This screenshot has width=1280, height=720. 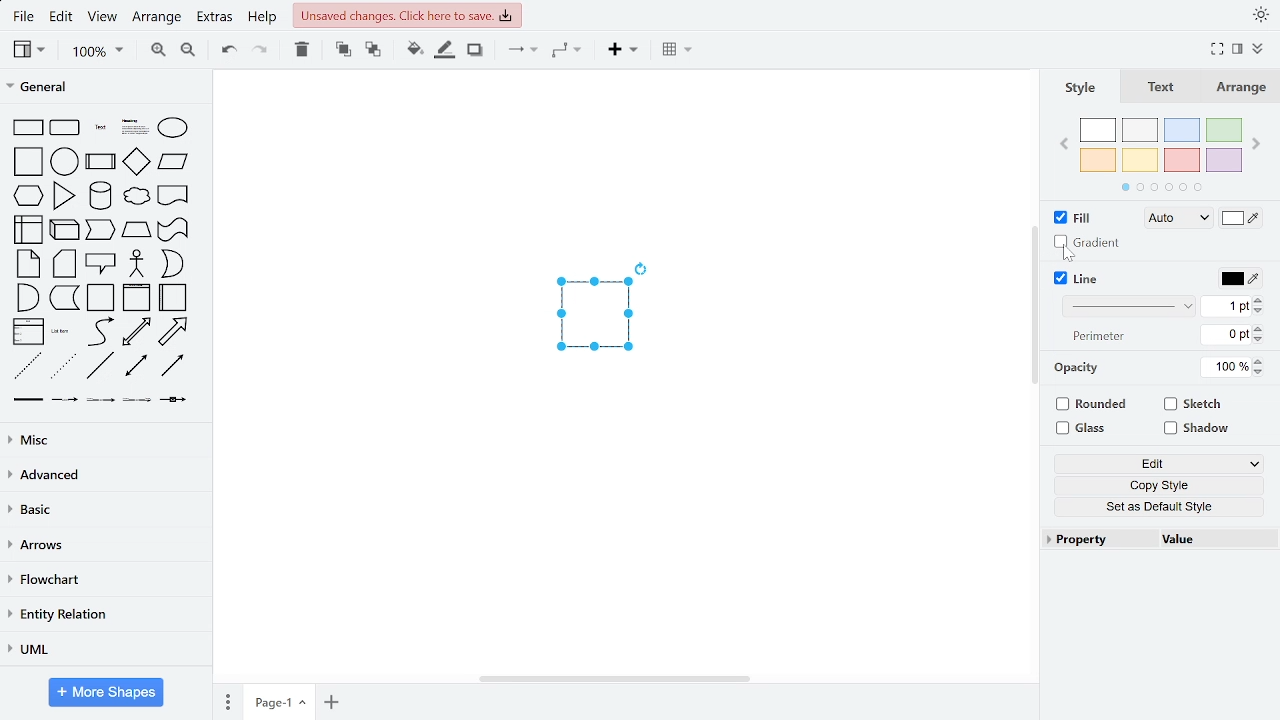 I want to click on general shapes, so click(x=171, y=195).